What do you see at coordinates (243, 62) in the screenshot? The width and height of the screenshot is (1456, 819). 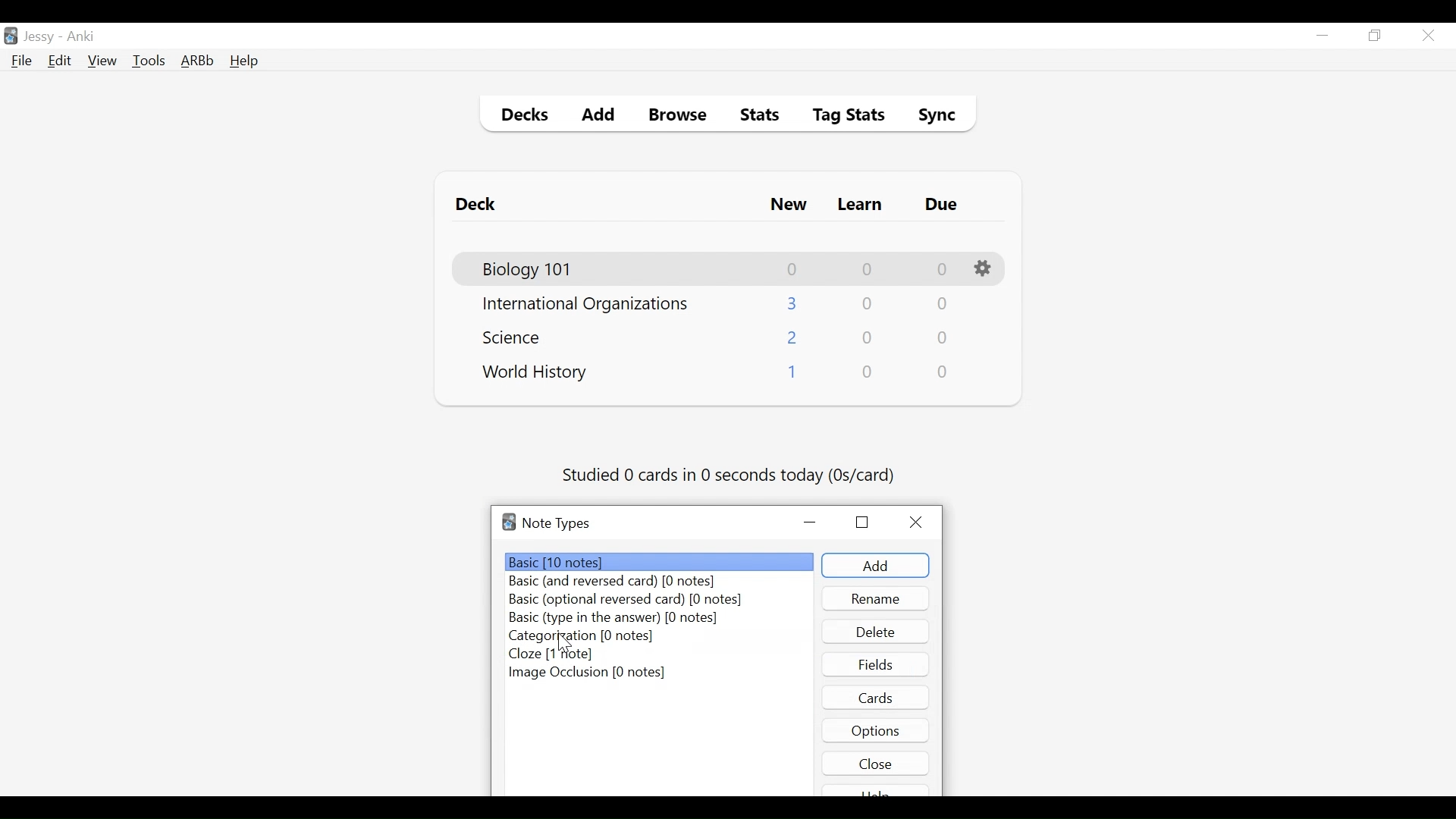 I see `Help` at bounding box center [243, 62].